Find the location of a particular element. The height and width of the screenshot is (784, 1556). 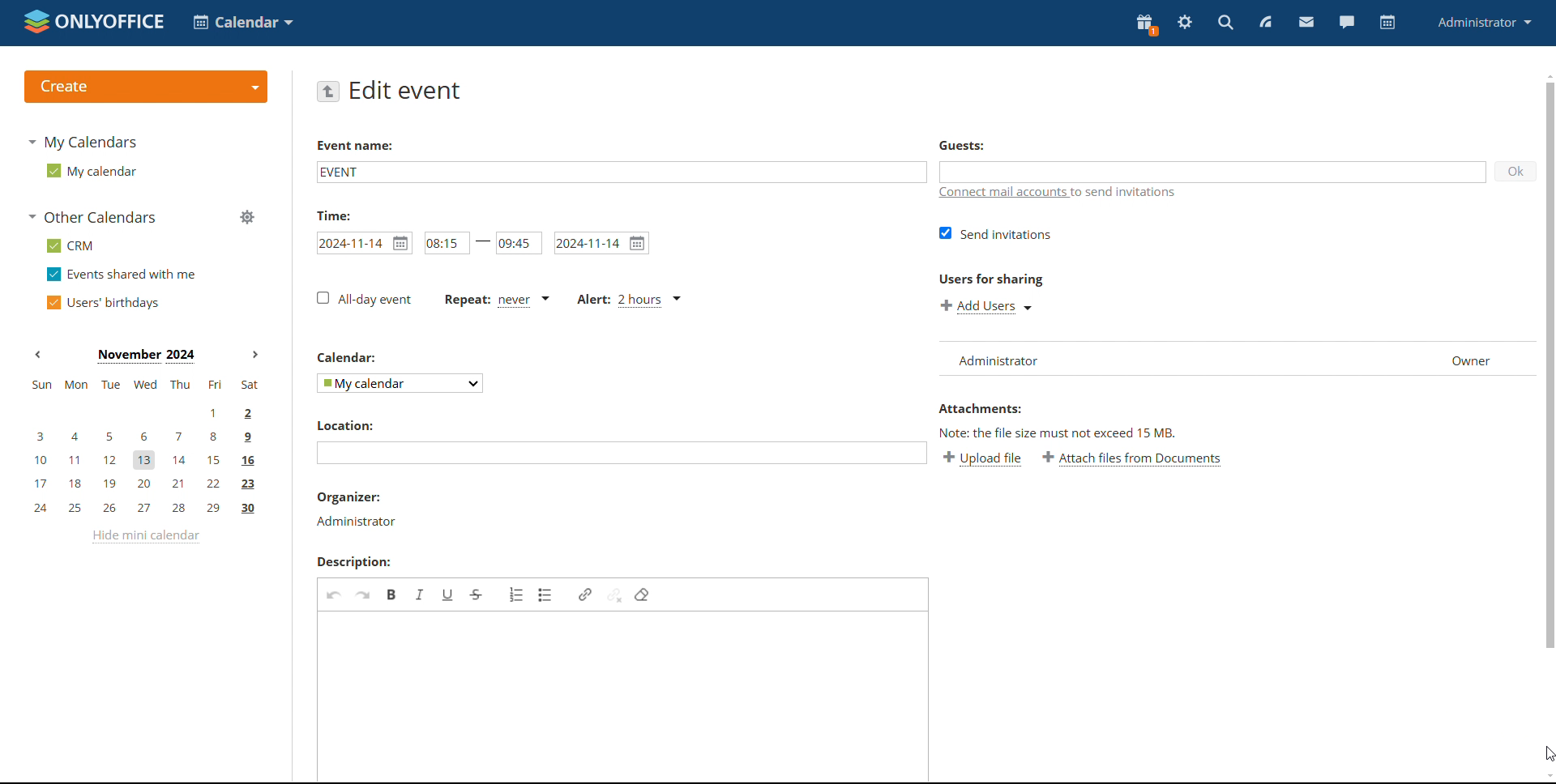

feed is located at coordinates (1266, 24).